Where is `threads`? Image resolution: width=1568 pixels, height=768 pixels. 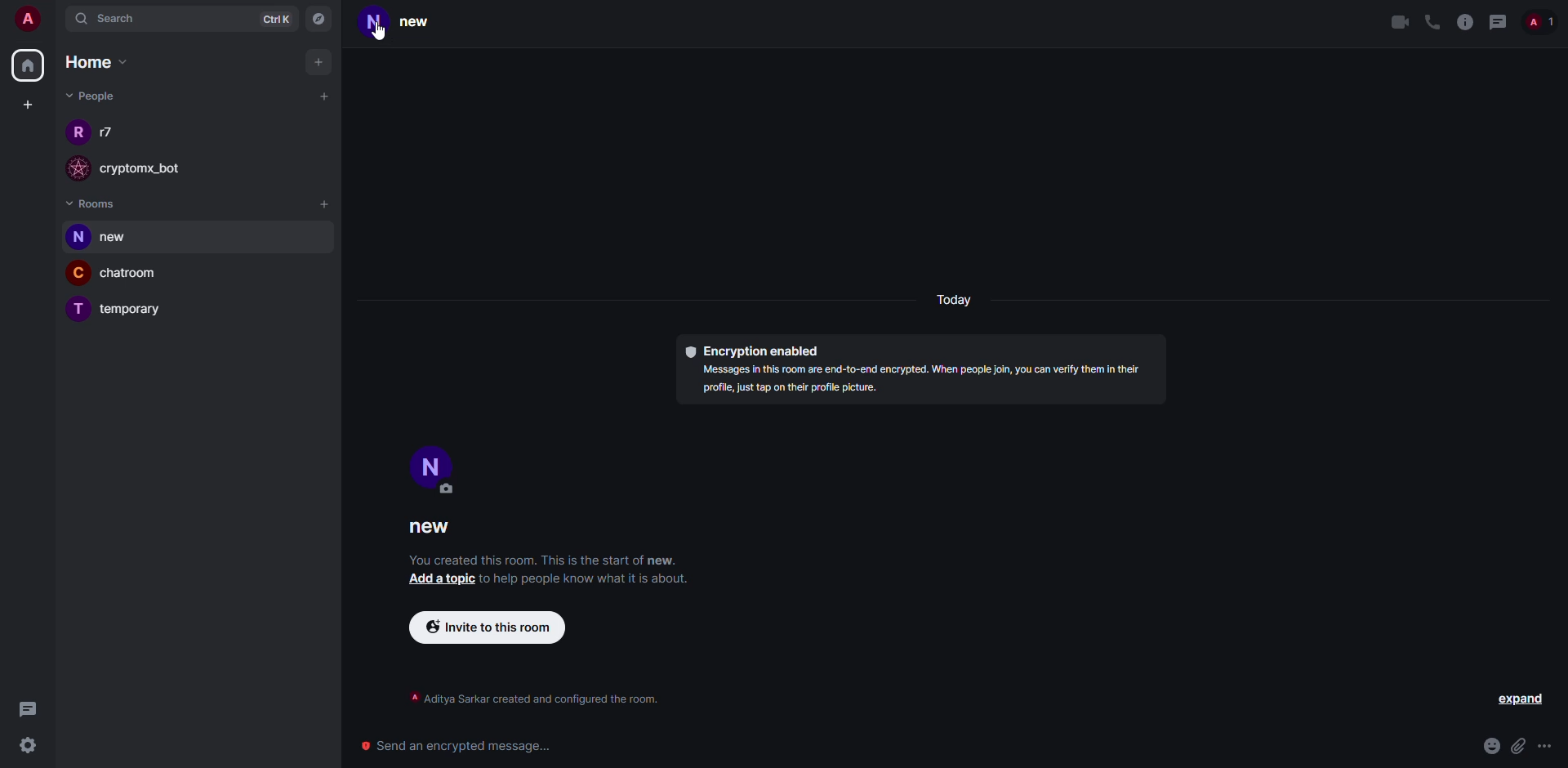
threads is located at coordinates (28, 708).